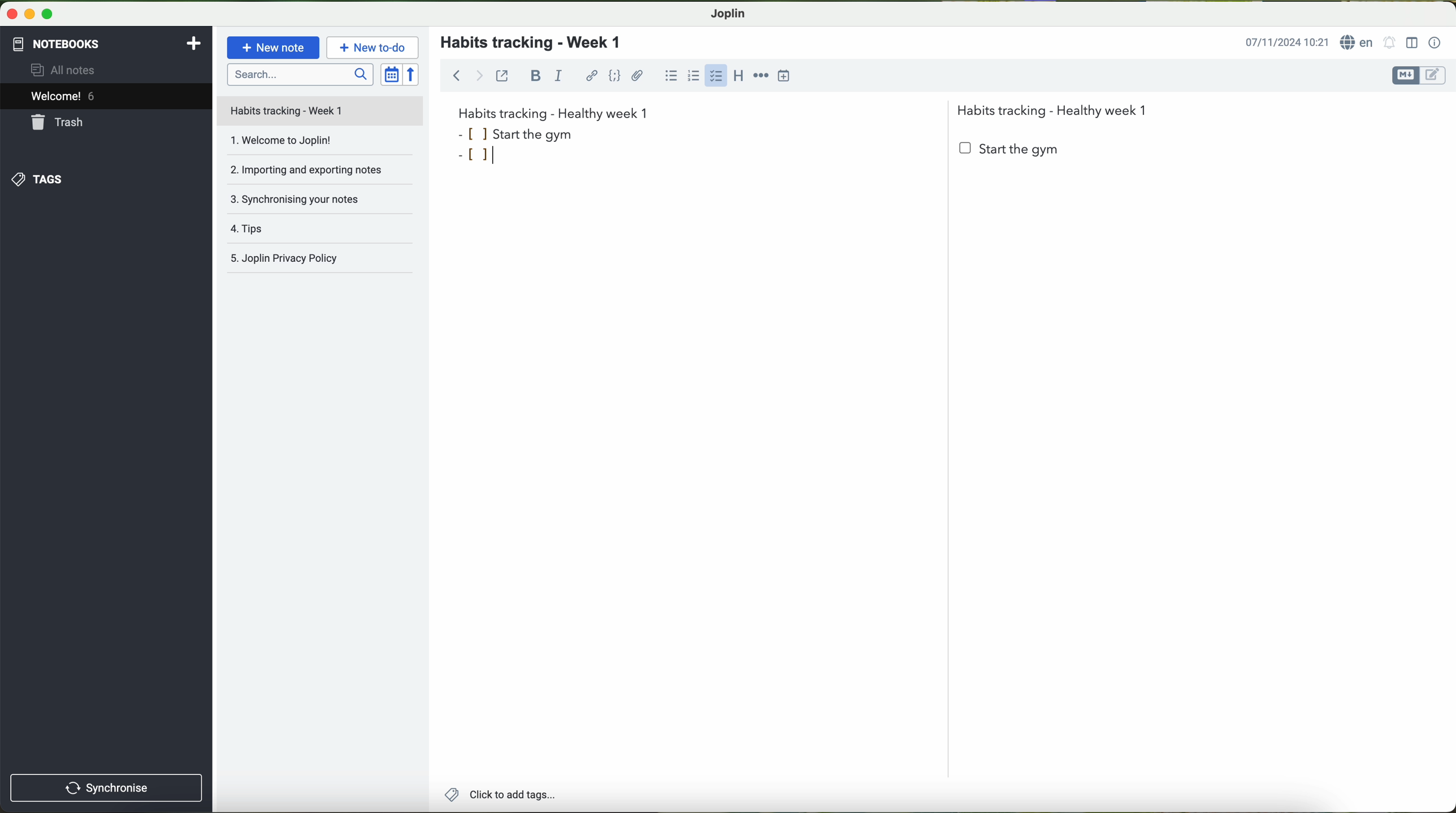 Image resolution: width=1456 pixels, height=813 pixels. I want to click on start the gym, so click(1009, 150).